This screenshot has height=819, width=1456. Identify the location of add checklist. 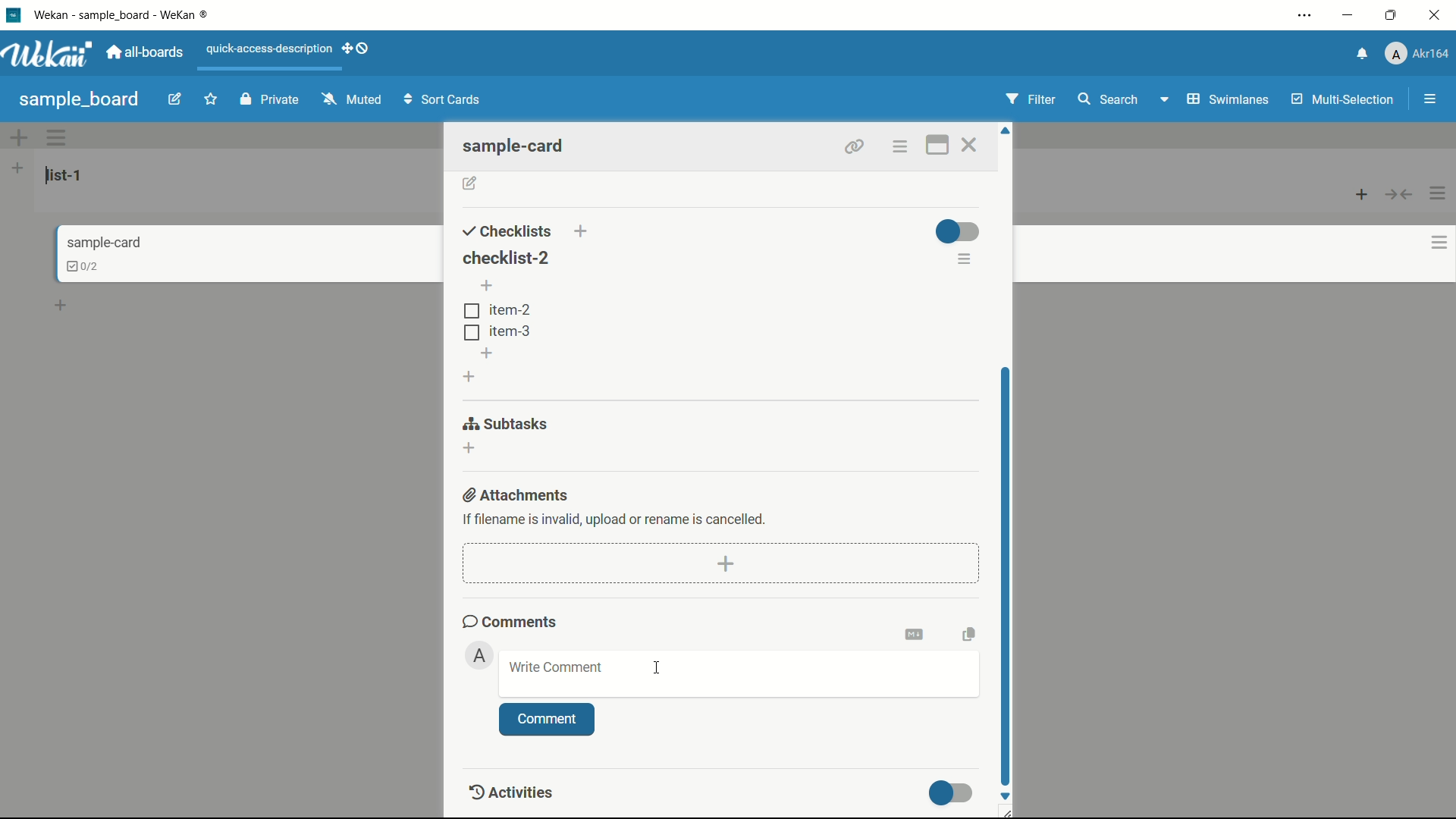
(583, 231).